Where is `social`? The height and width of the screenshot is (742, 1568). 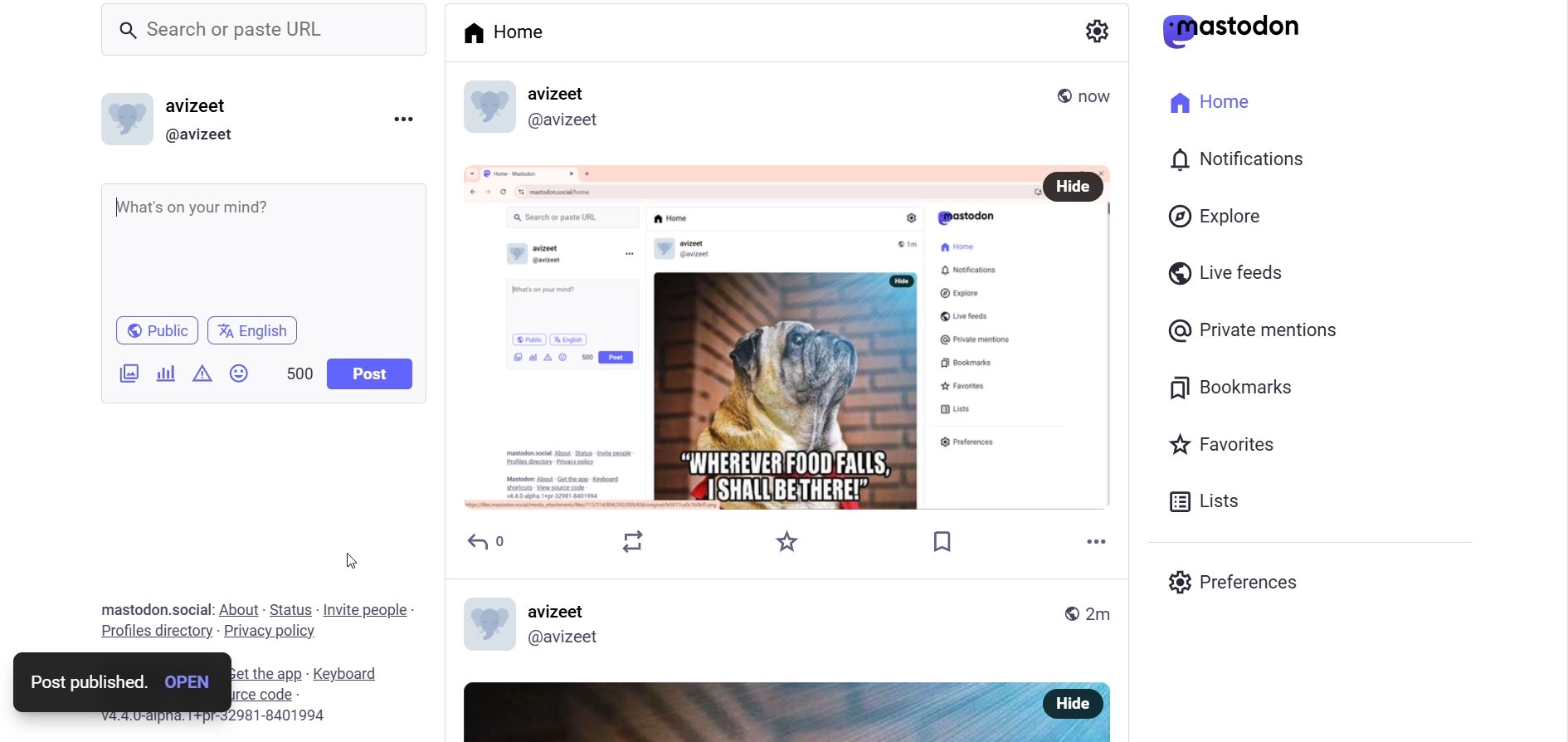 social is located at coordinates (193, 609).